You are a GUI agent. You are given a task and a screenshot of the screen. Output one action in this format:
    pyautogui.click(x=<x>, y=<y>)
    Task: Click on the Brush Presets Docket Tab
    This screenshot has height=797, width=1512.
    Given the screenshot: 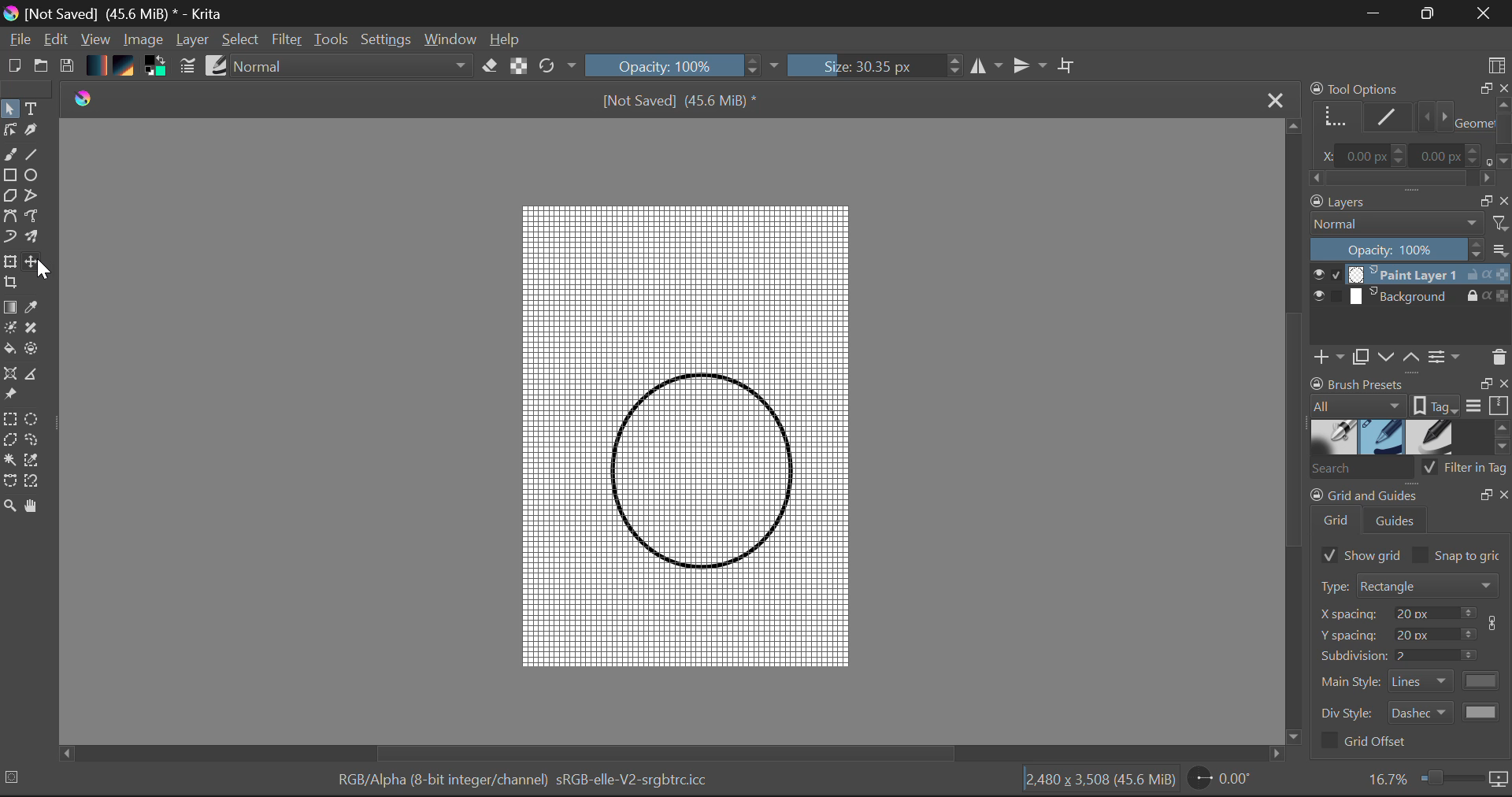 What is the action you would take?
    pyautogui.click(x=1410, y=395)
    